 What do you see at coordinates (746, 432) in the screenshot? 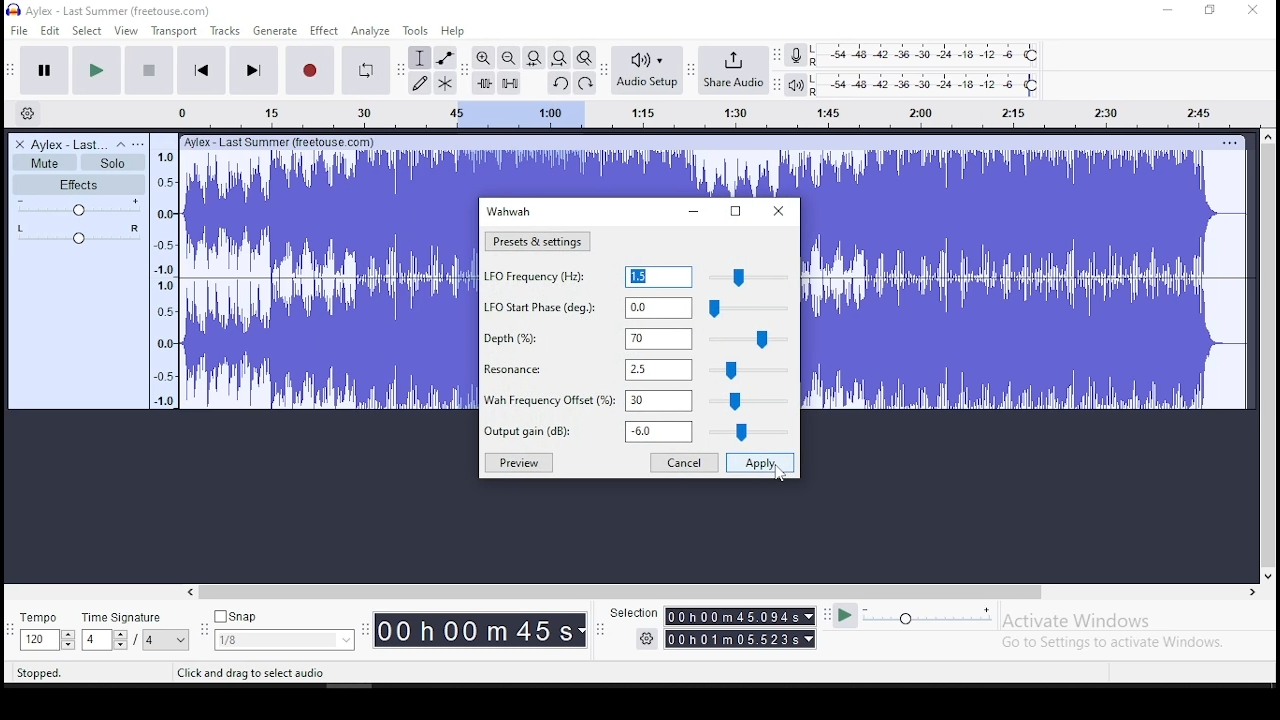
I see `output dain (dB) slider` at bounding box center [746, 432].